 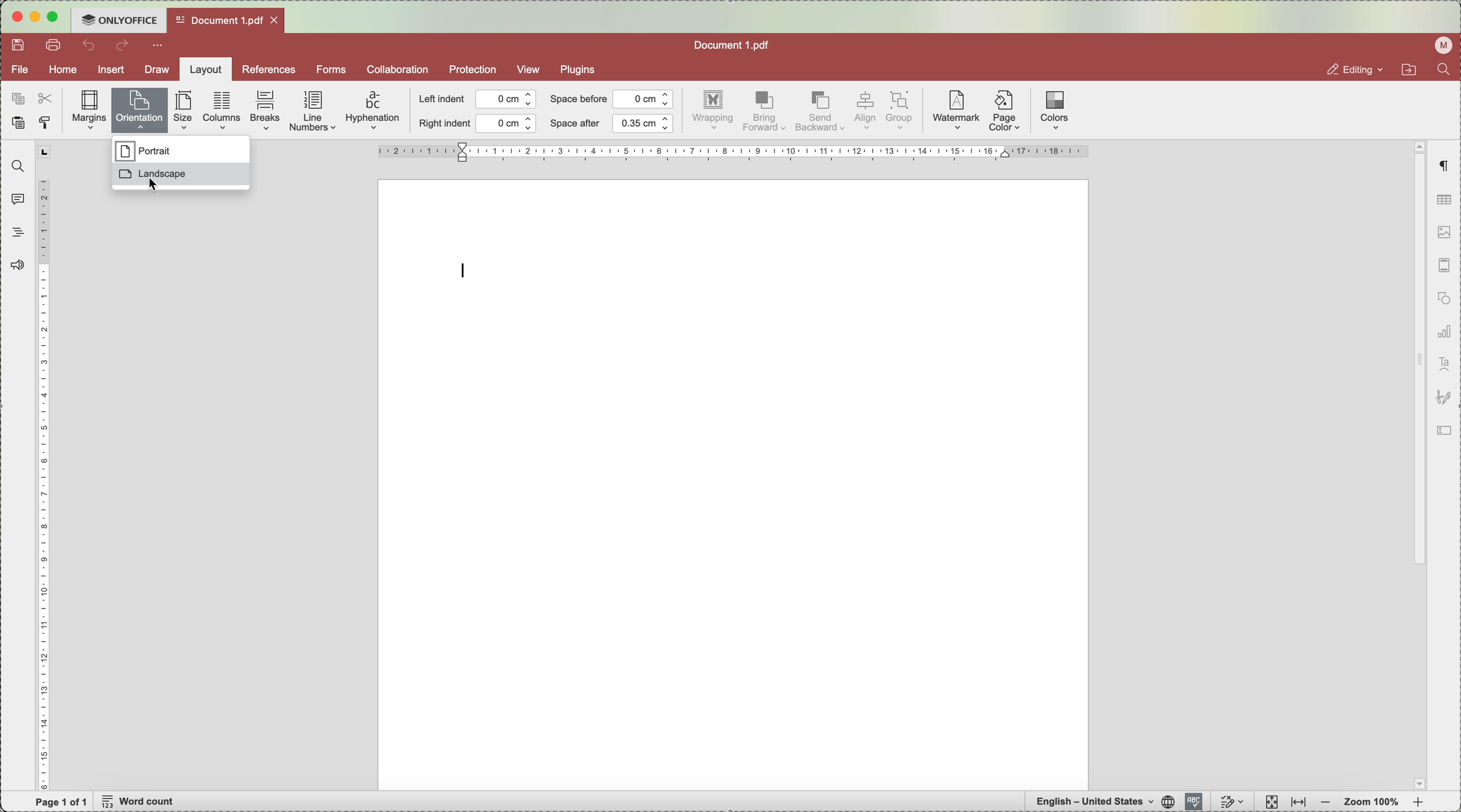 What do you see at coordinates (20, 70) in the screenshot?
I see `file` at bounding box center [20, 70].